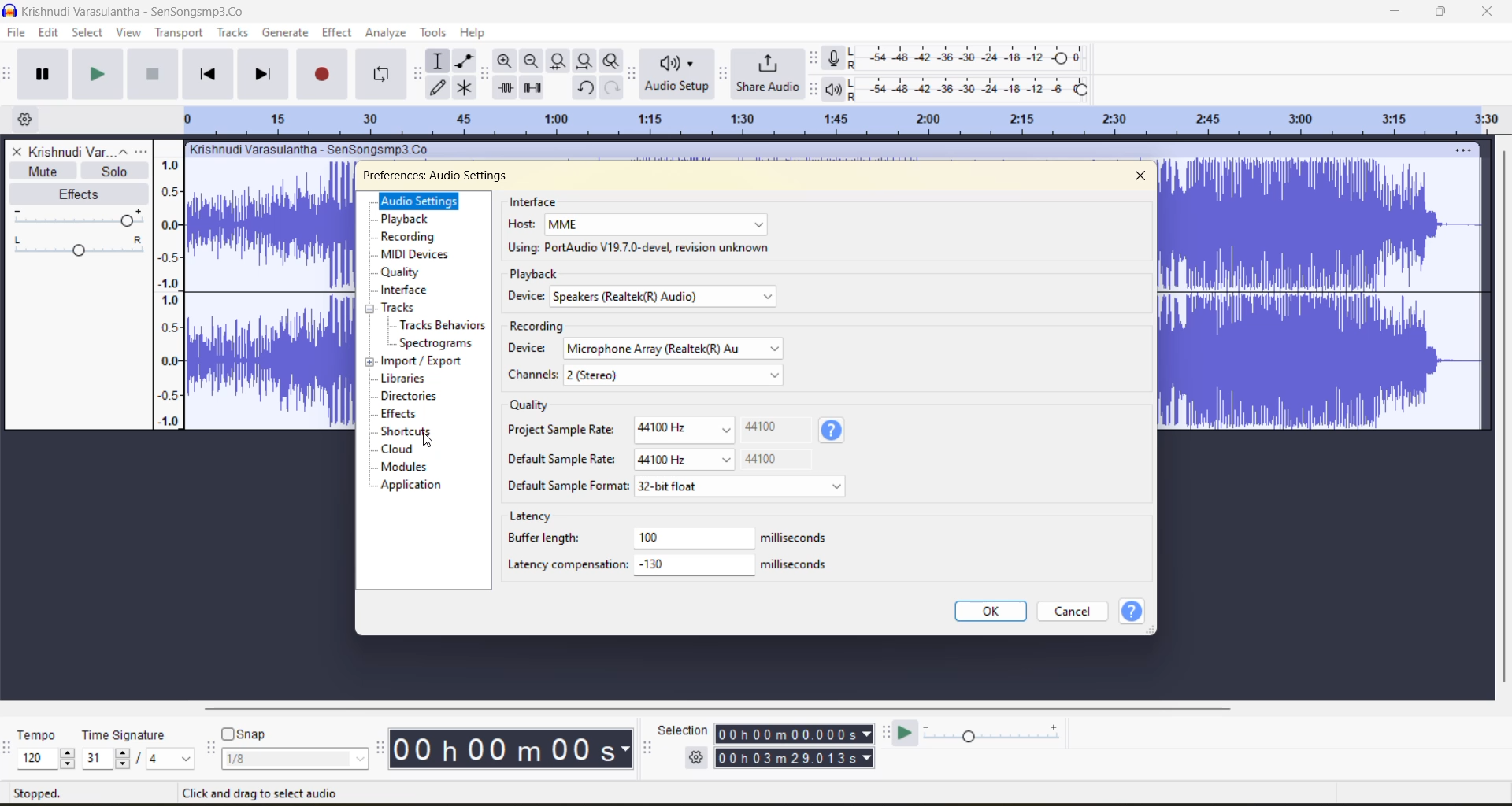 The width and height of the screenshot is (1512, 806). What do you see at coordinates (80, 218) in the screenshot?
I see `pan` at bounding box center [80, 218].